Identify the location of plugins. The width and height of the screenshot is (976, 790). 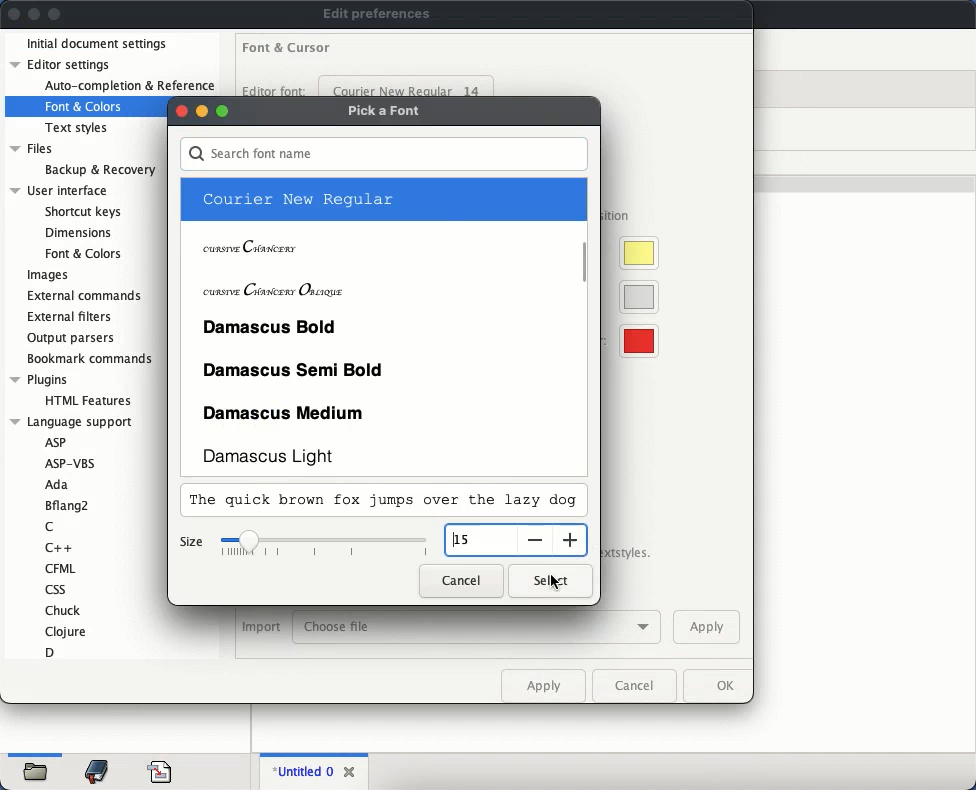
(39, 380).